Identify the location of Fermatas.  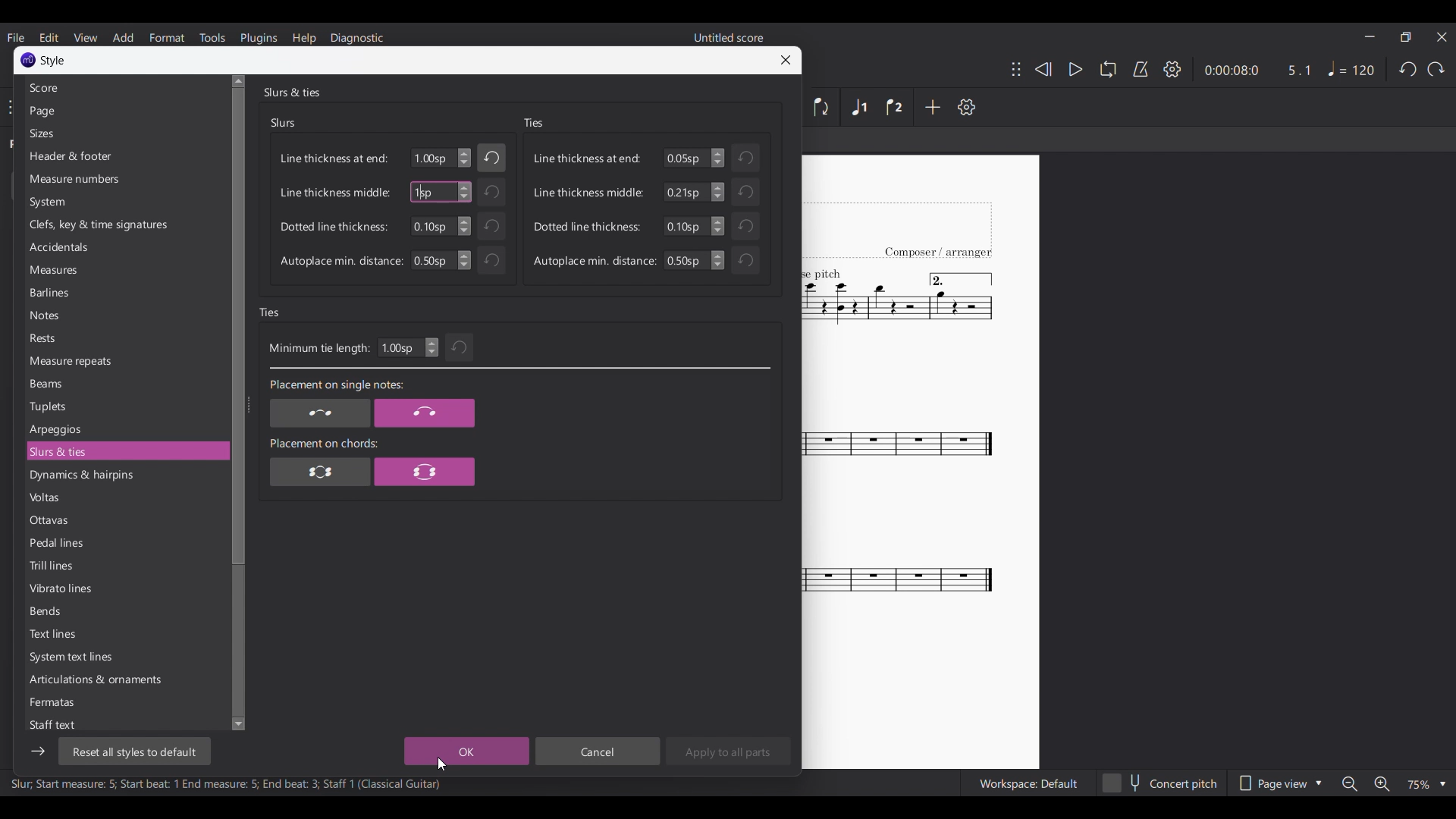
(125, 702).